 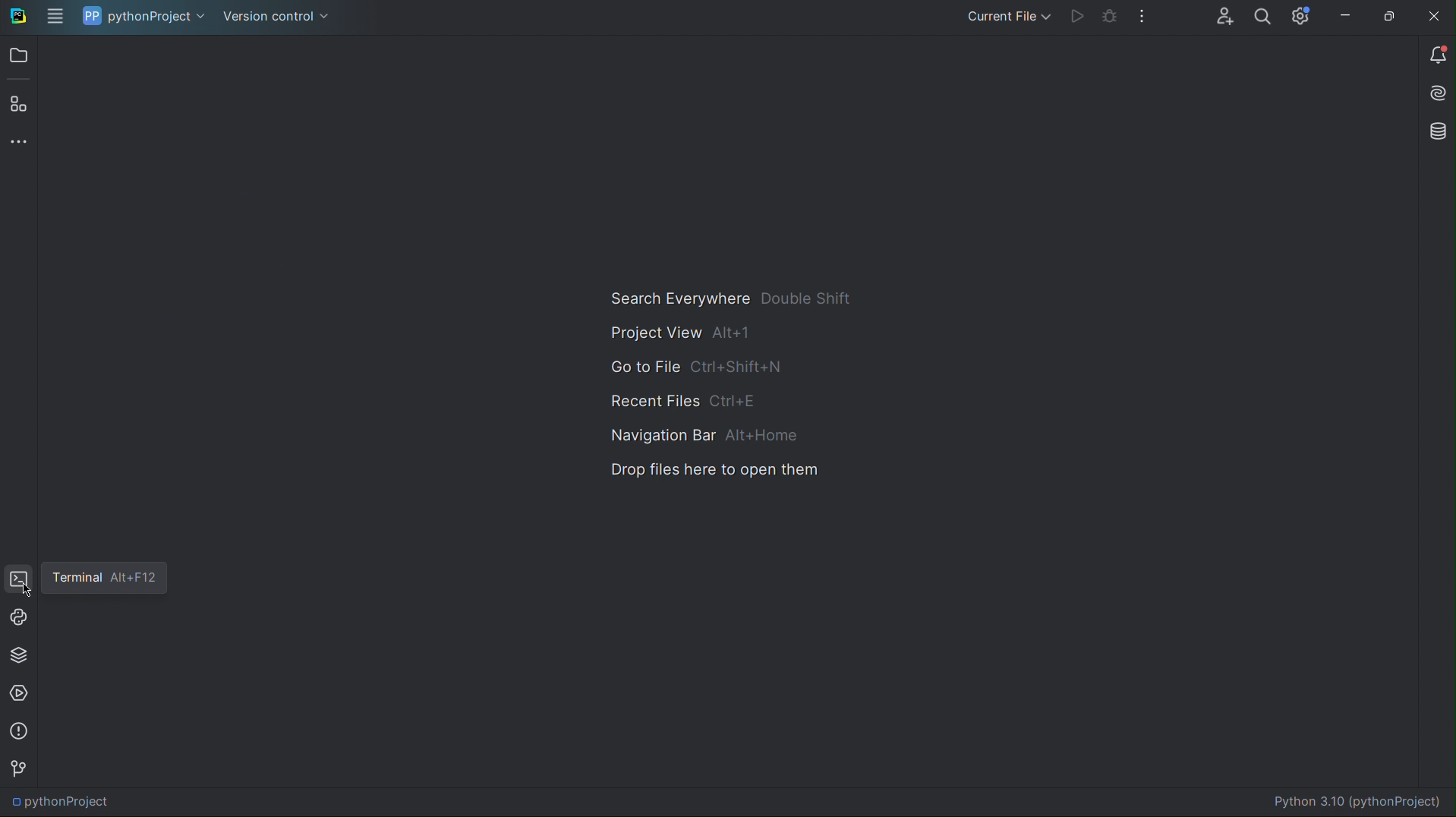 I want to click on Search, so click(x=1262, y=18).